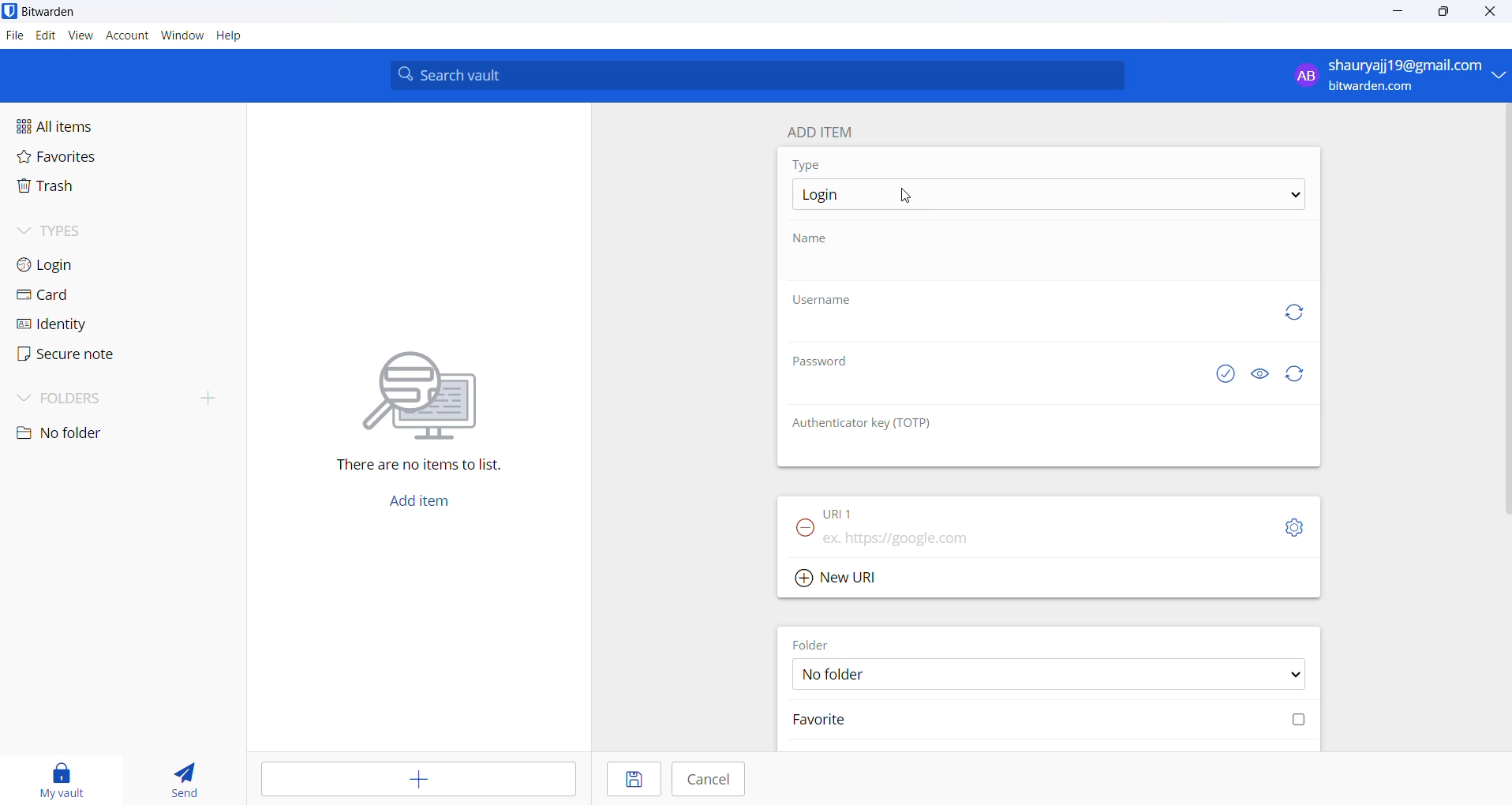 This screenshot has width=1512, height=805. Describe the element at coordinates (1023, 331) in the screenshot. I see `username textbox` at that location.